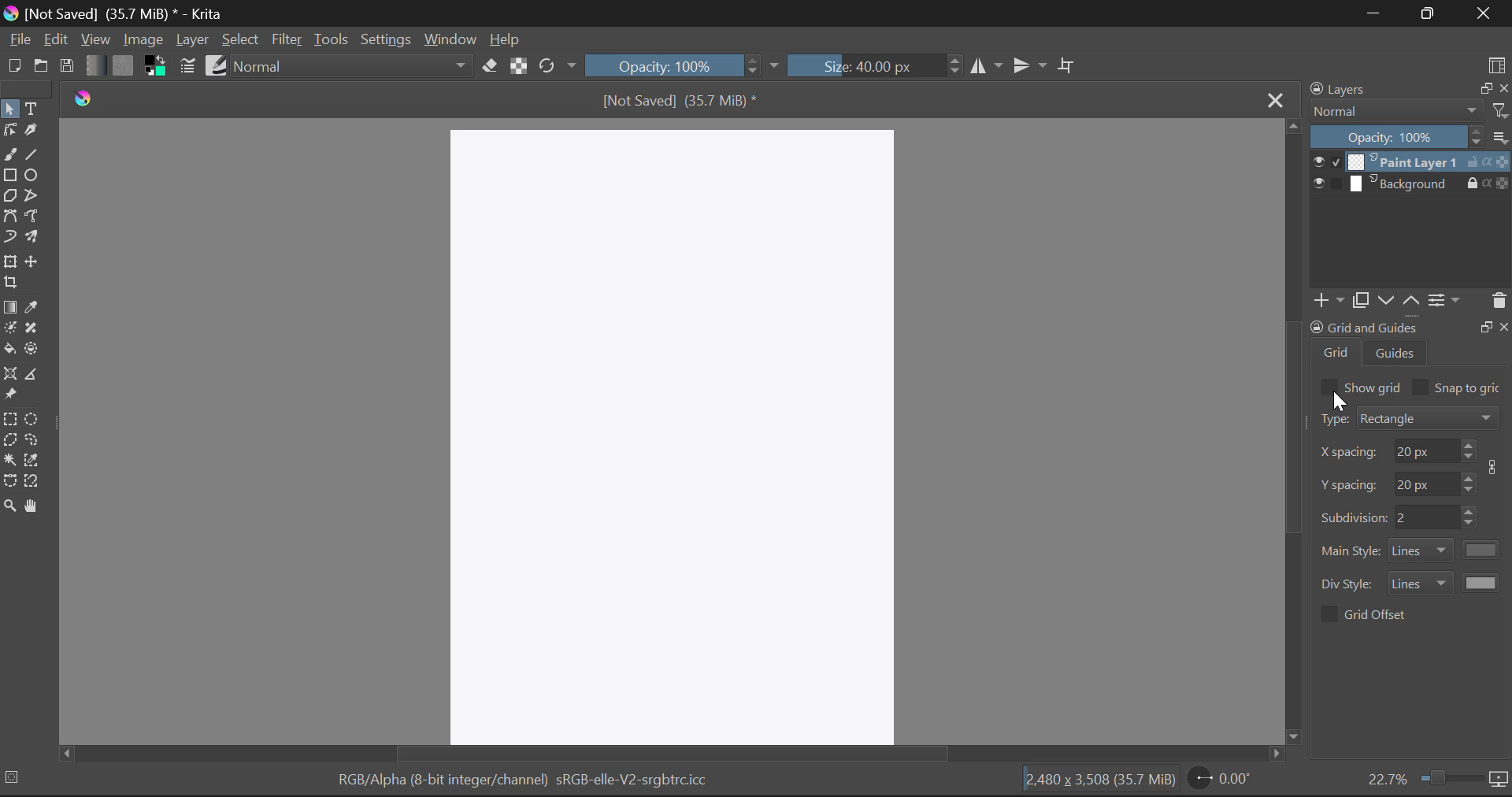  What do you see at coordinates (55, 39) in the screenshot?
I see `Edit` at bounding box center [55, 39].